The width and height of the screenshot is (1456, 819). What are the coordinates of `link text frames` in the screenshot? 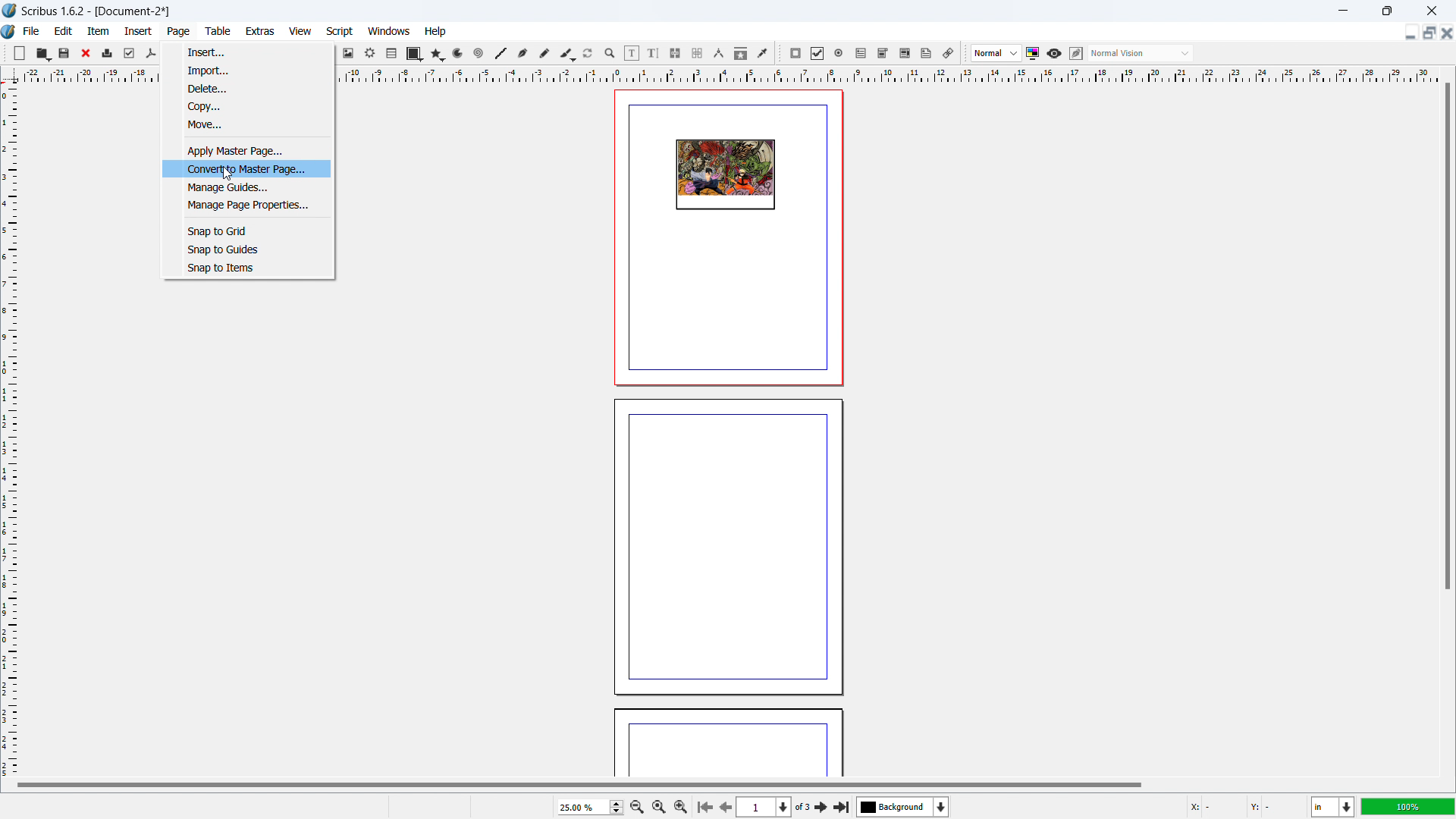 It's located at (676, 54).